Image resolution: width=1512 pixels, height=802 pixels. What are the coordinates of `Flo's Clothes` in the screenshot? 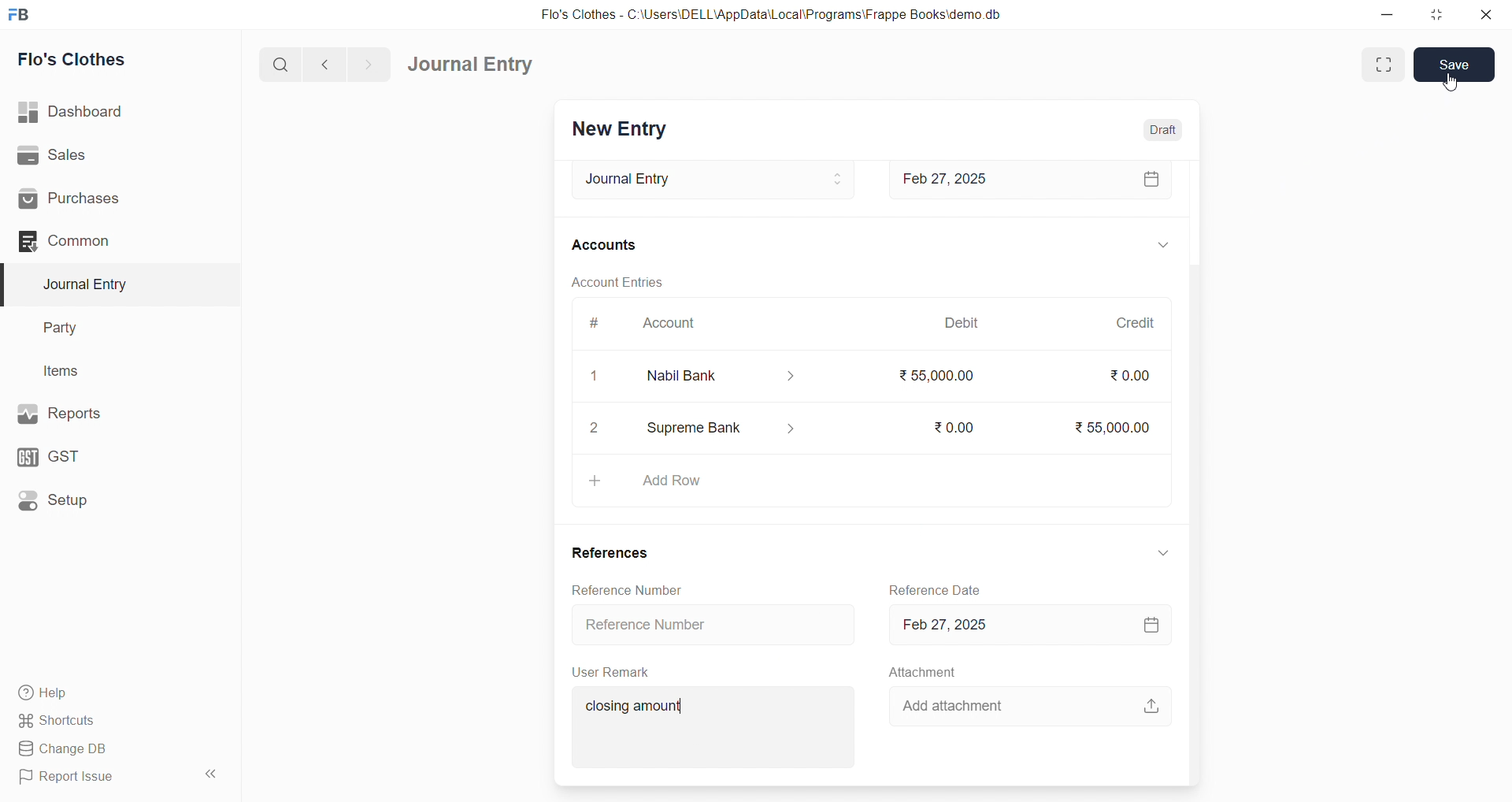 It's located at (80, 59).